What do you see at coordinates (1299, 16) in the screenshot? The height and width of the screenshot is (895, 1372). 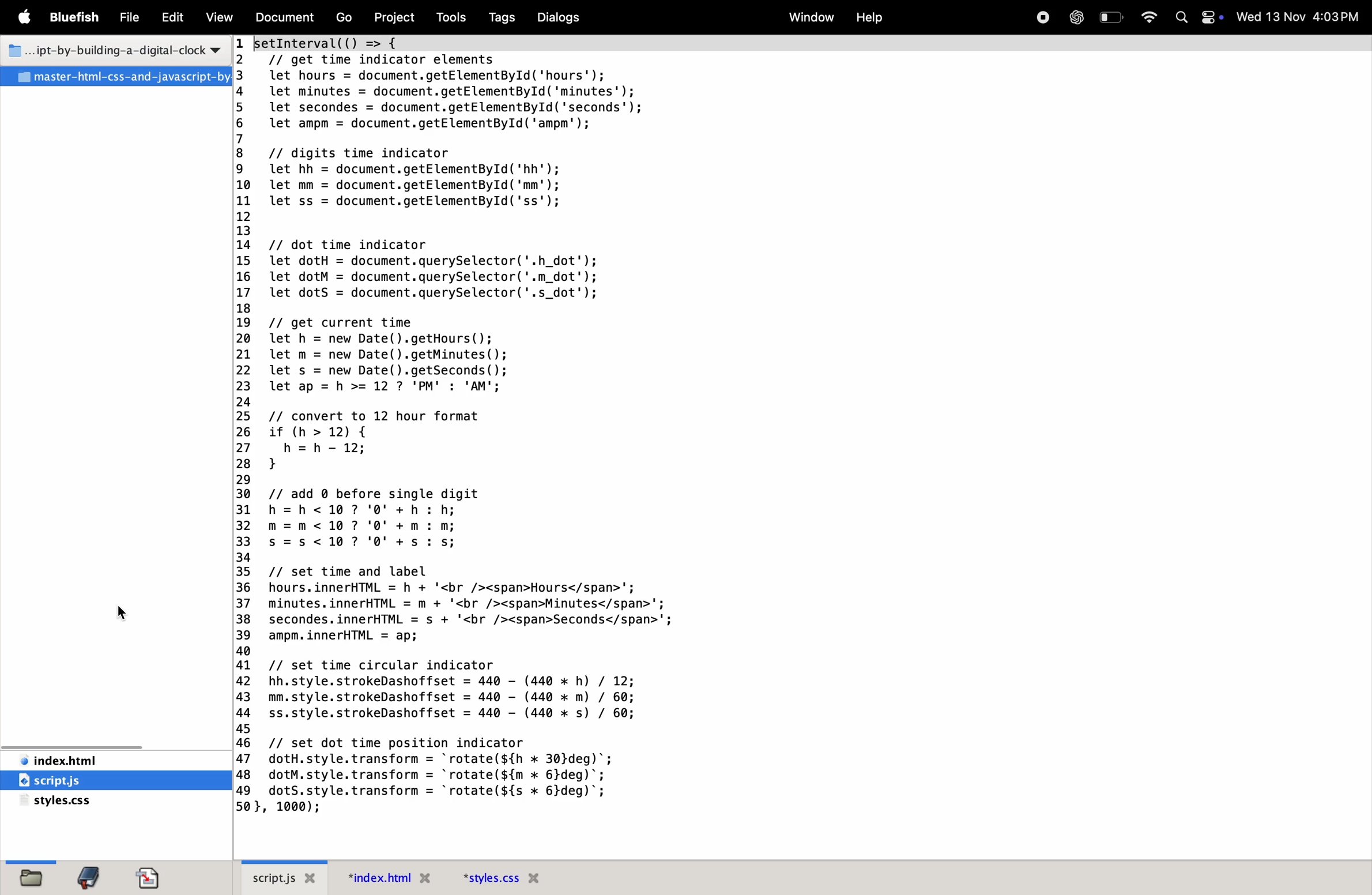 I see `time and date` at bounding box center [1299, 16].